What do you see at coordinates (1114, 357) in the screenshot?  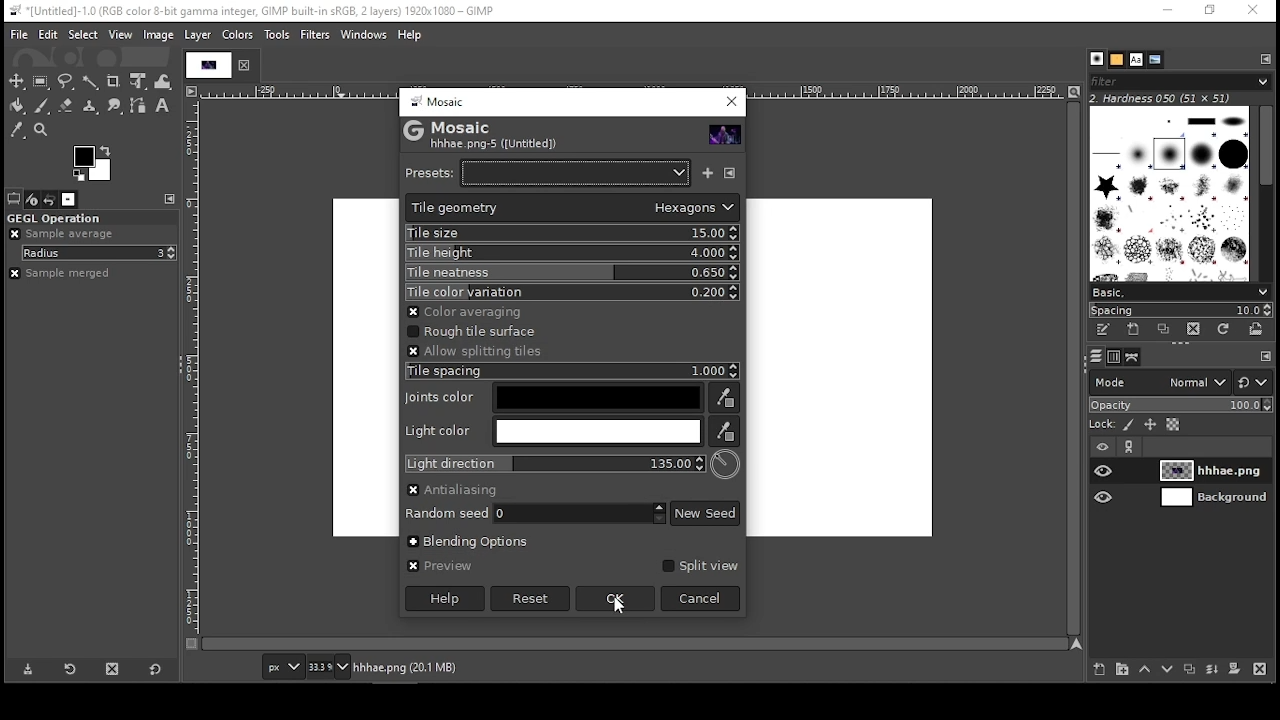 I see `channels` at bounding box center [1114, 357].